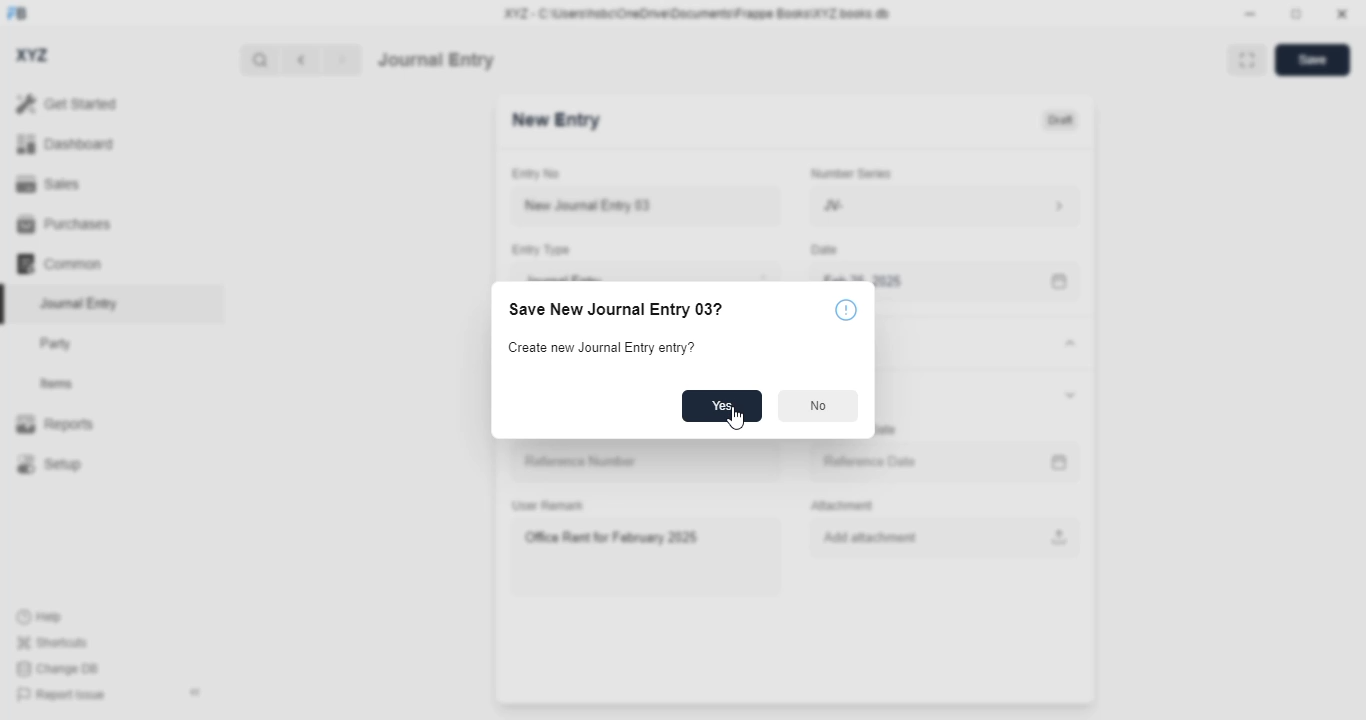 The height and width of the screenshot is (720, 1366). I want to click on yes, so click(723, 406).